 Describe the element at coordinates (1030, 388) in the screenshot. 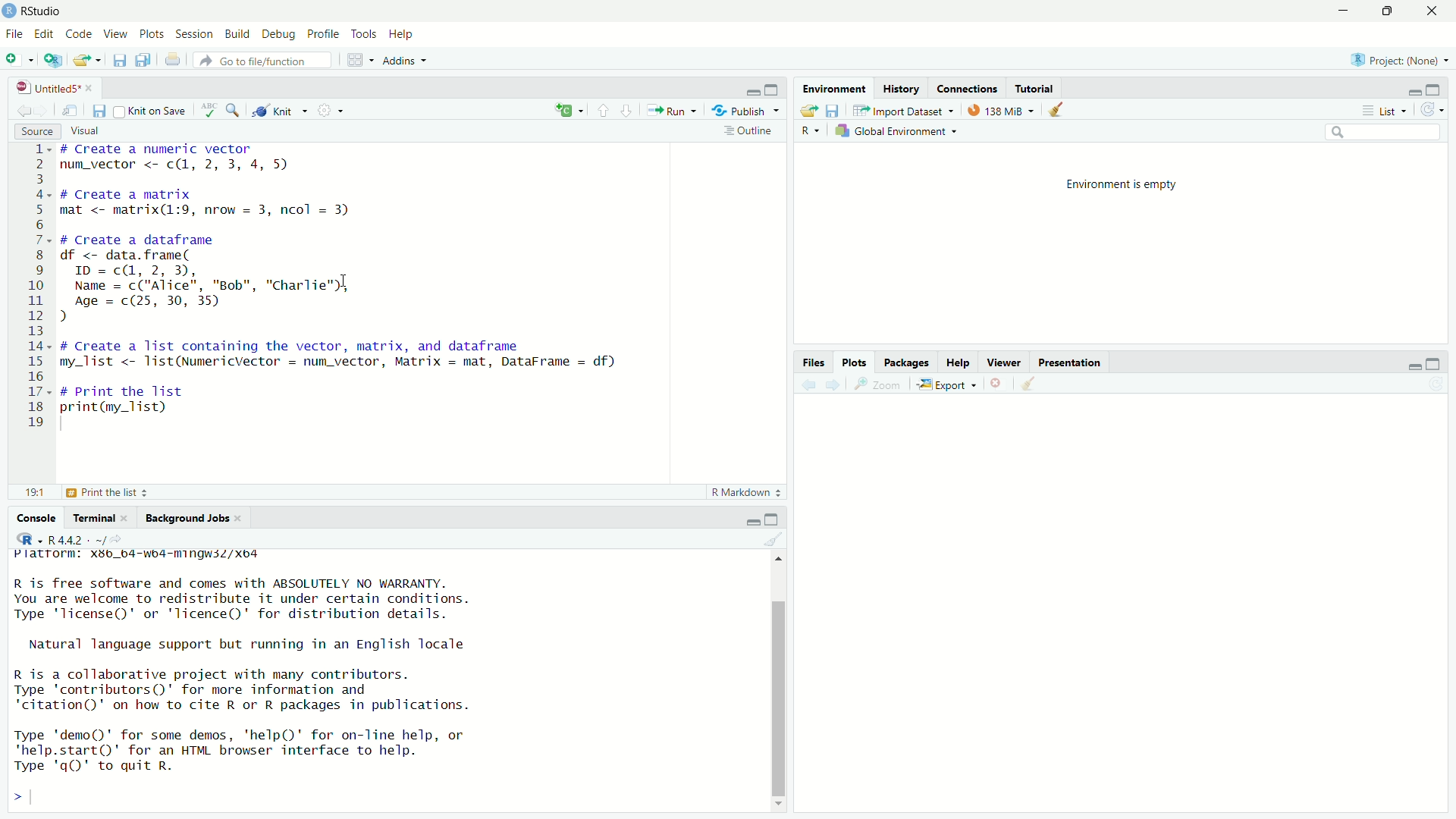

I see `clear` at that location.